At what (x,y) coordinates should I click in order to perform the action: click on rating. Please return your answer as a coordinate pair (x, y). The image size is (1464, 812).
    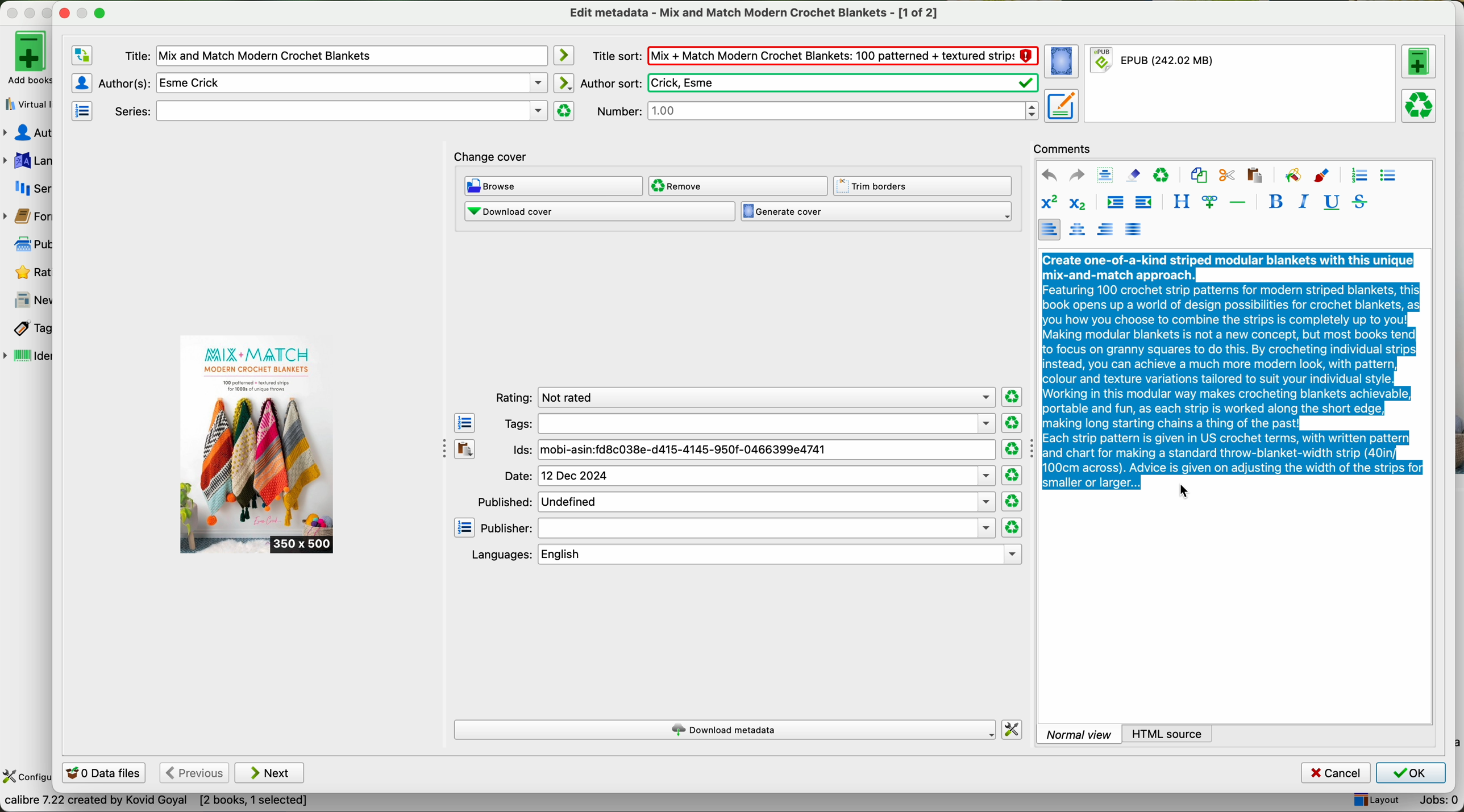
    Looking at the image, I should click on (742, 398).